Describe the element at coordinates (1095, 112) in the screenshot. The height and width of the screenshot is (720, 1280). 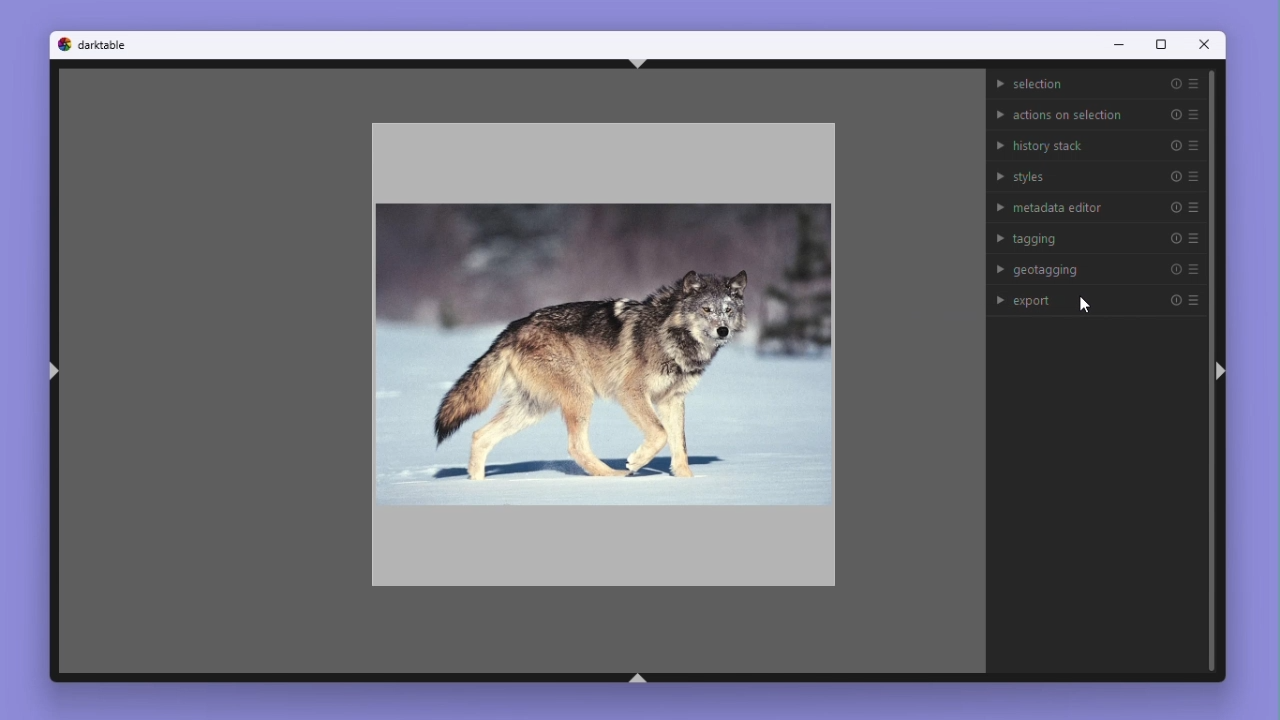
I see `Actions on selection` at that location.